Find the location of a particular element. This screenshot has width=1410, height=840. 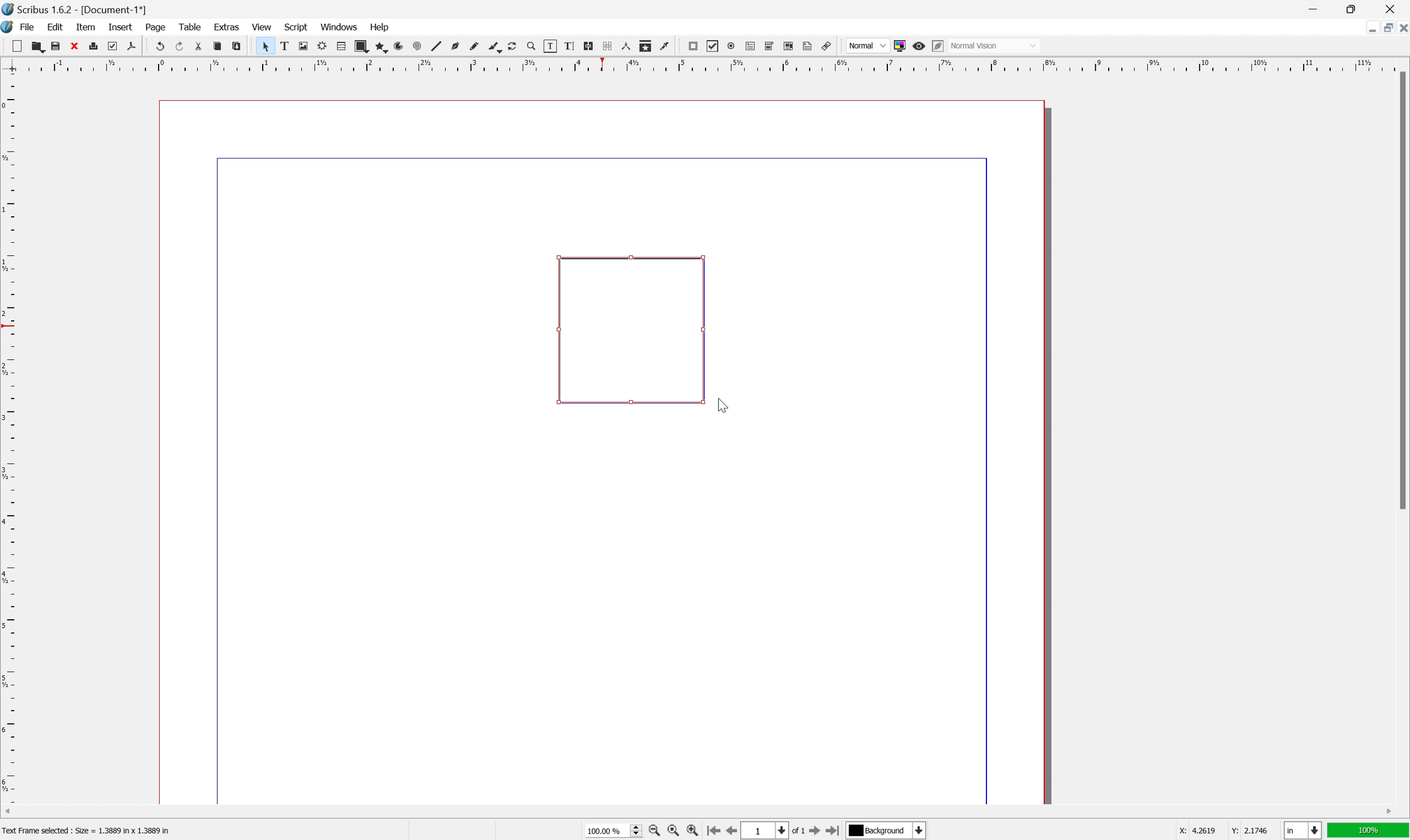

text annotation is located at coordinates (808, 45).